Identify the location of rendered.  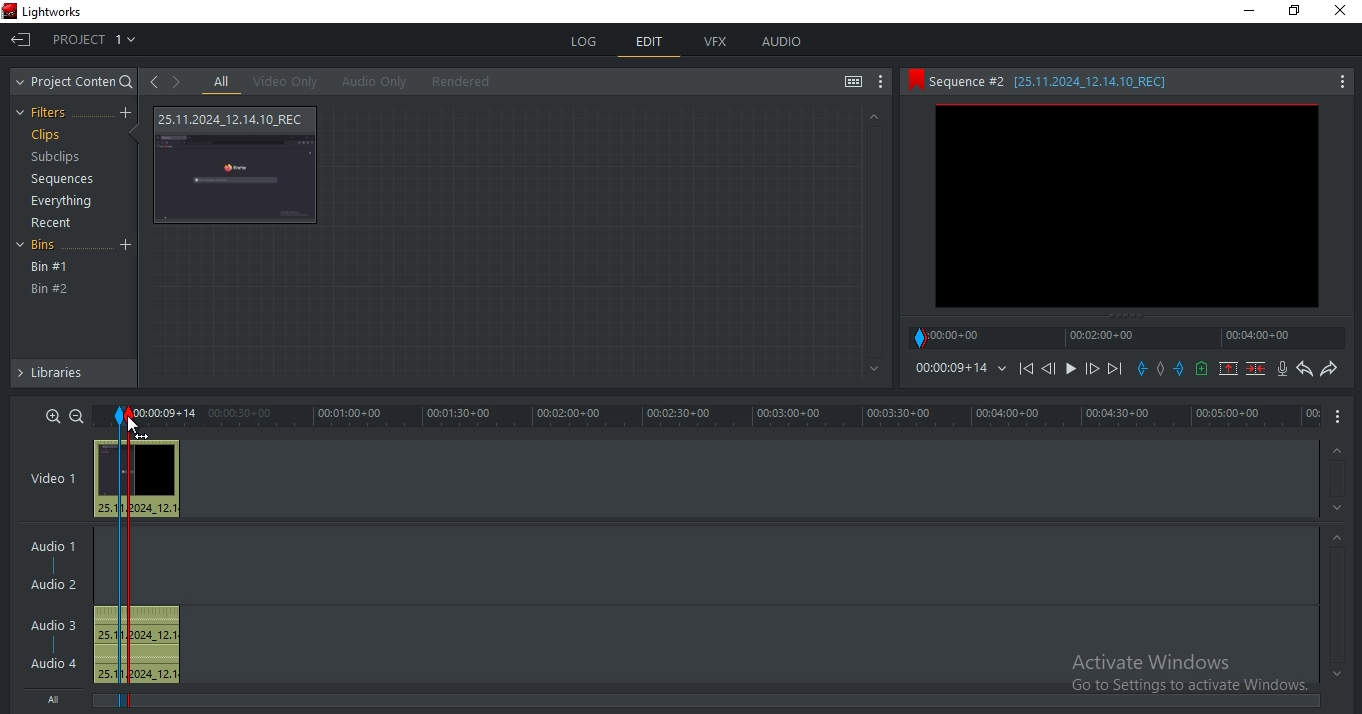
(461, 81).